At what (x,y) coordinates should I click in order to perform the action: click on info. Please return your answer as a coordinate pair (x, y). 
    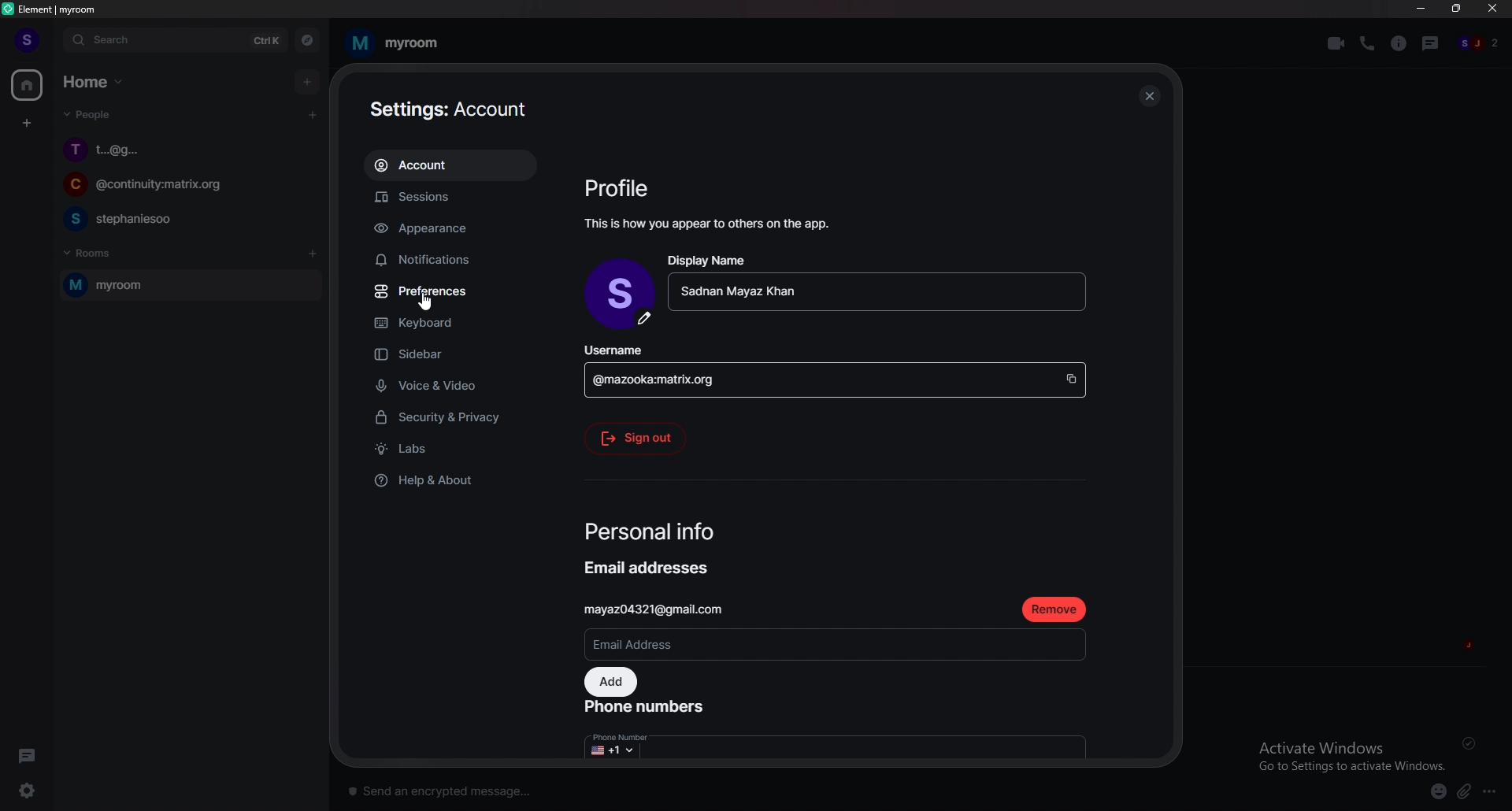
    Looking at the image, I should click on (710, 223).